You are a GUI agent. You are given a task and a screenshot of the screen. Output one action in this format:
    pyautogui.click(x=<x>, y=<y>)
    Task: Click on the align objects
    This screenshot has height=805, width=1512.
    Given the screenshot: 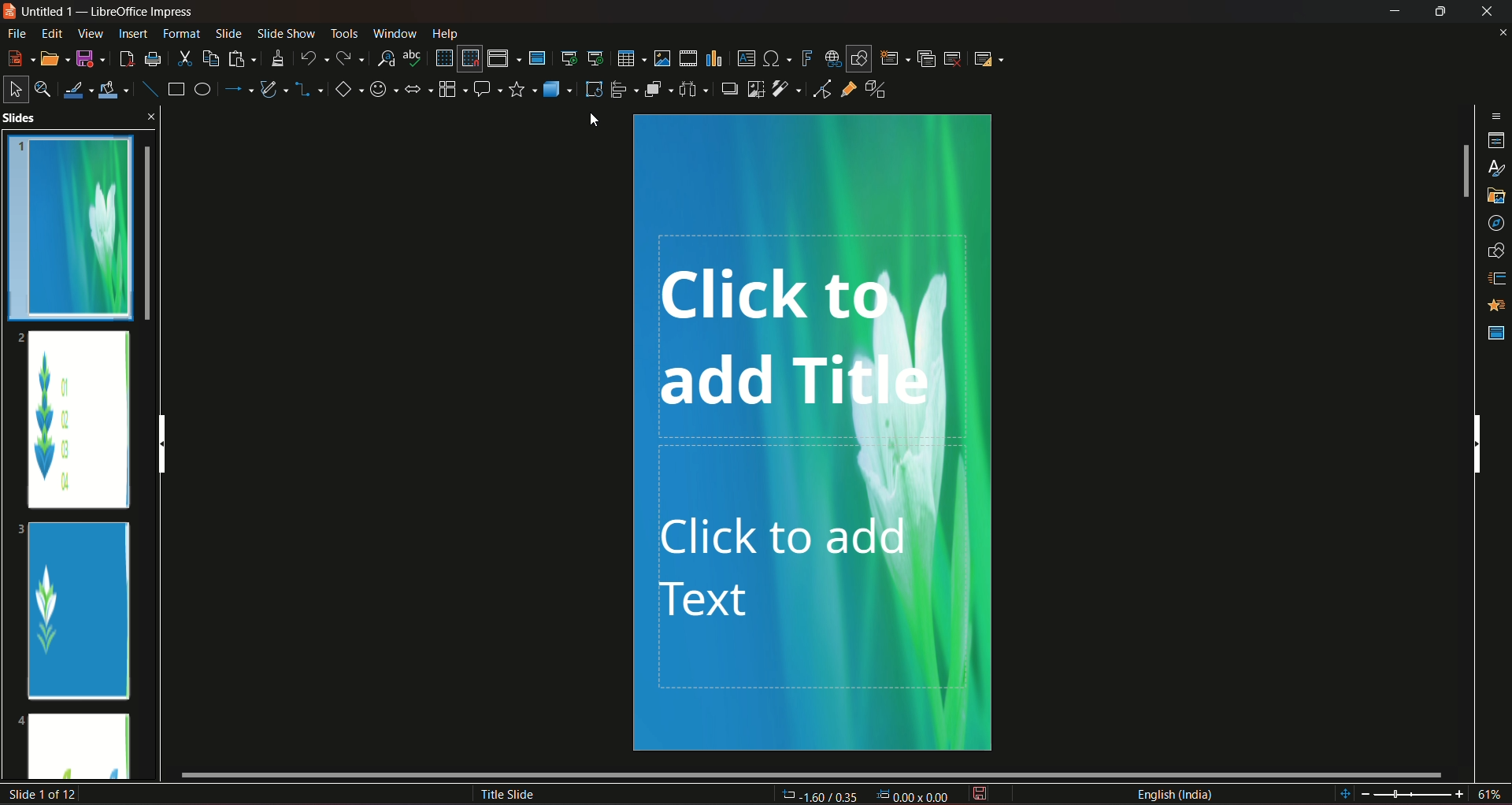 What is the action you would take?
    pyautogui.click(x=623, y=90)
    